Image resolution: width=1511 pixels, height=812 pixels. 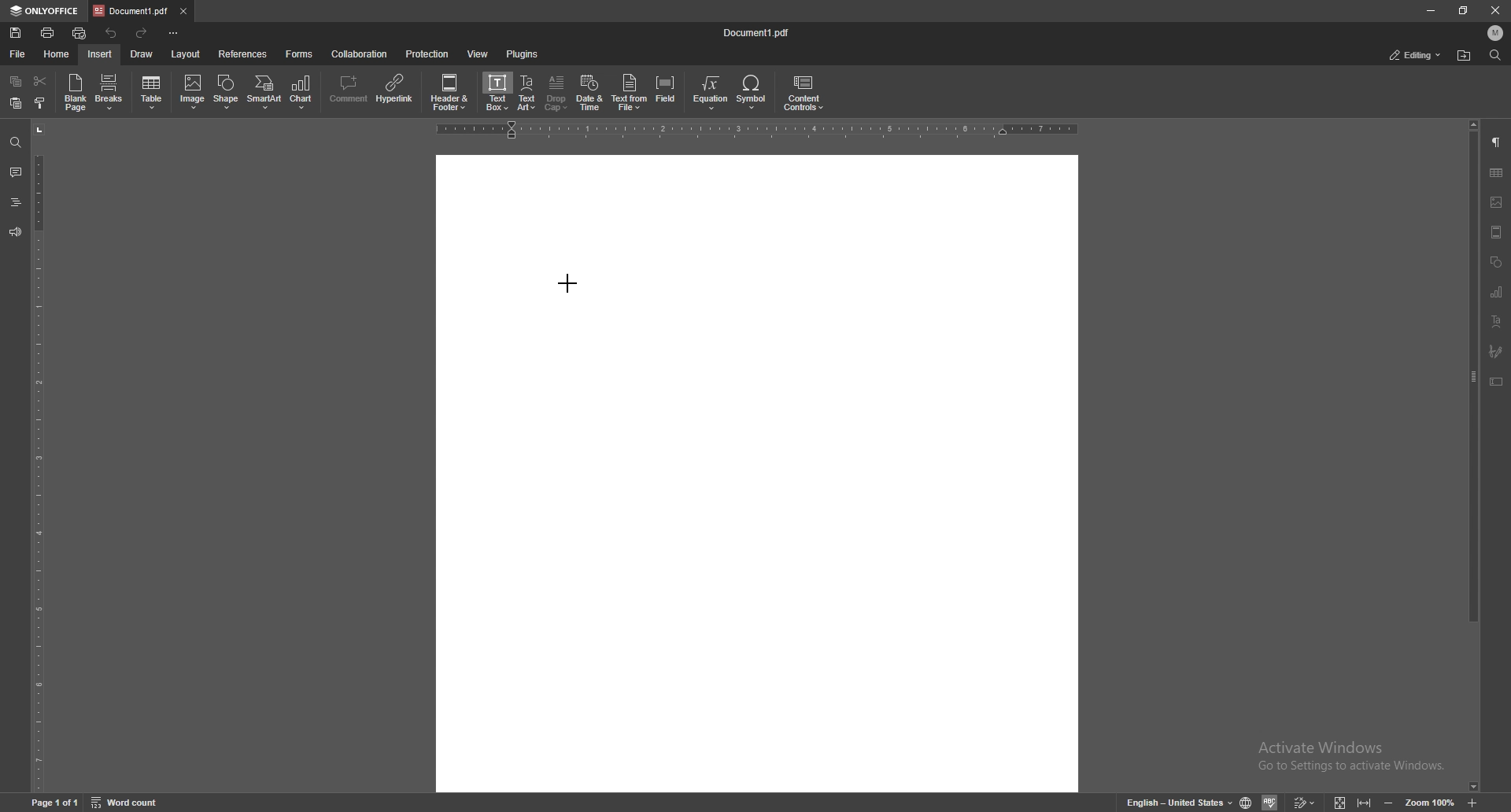 What do you see at coordinates (57, 55) in the screenshot?
I see `home` at bounding box center [57, 55].